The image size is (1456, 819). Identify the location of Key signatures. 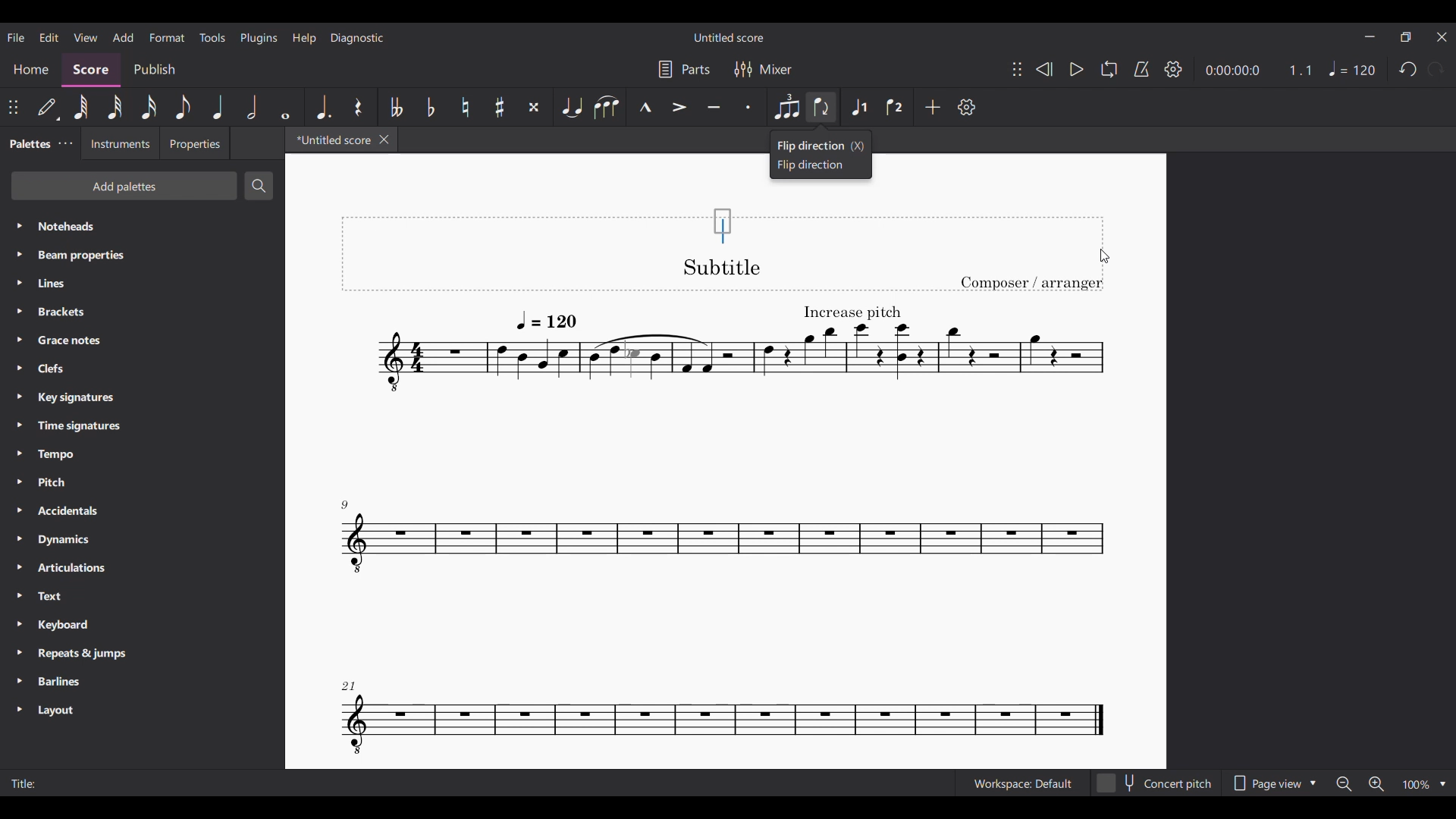
(143, 397).